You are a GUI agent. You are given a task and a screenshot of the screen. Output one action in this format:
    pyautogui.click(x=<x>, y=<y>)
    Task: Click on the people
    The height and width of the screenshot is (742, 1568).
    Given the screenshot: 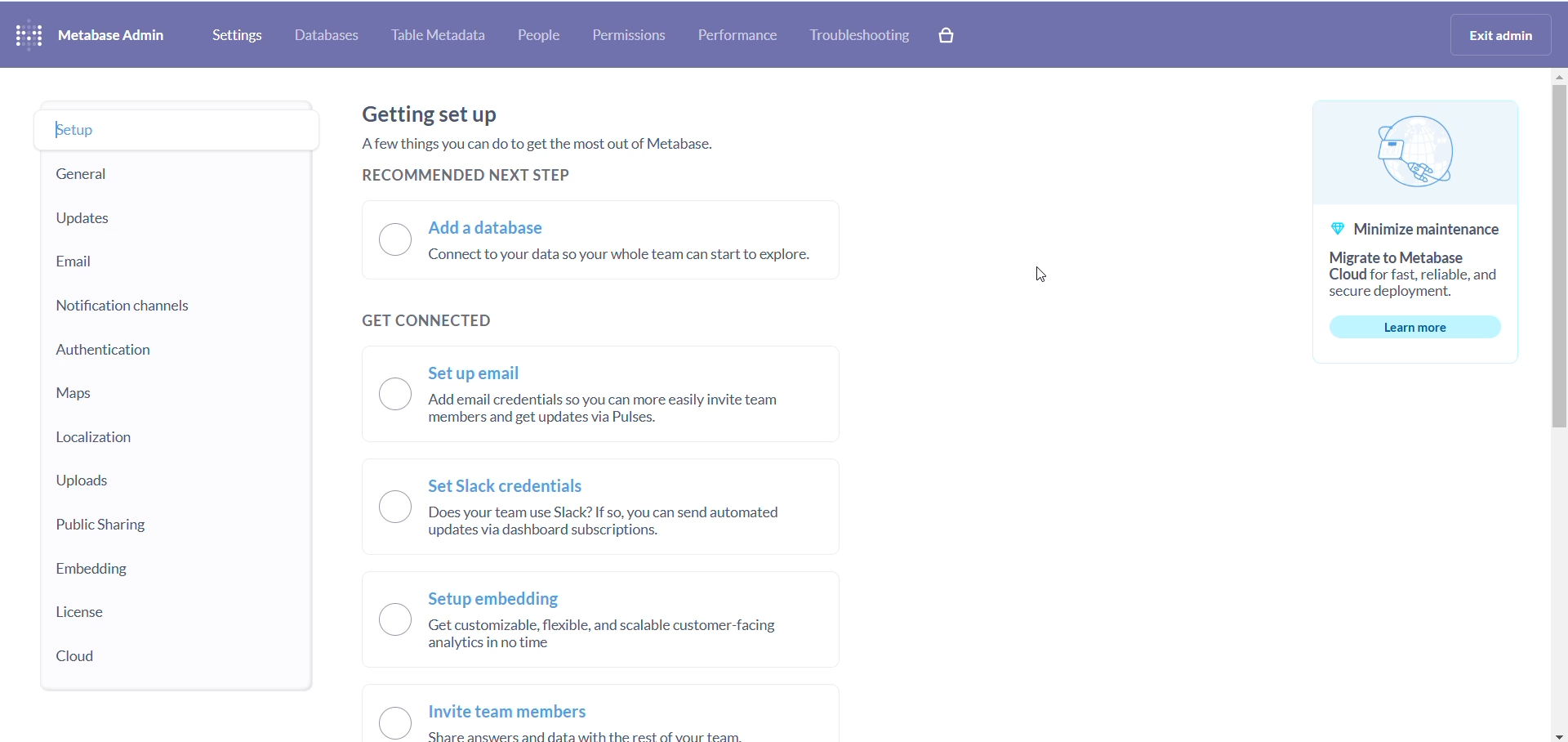 What is the action you would take?
    pyautogui.click(x=541, y=36)
    